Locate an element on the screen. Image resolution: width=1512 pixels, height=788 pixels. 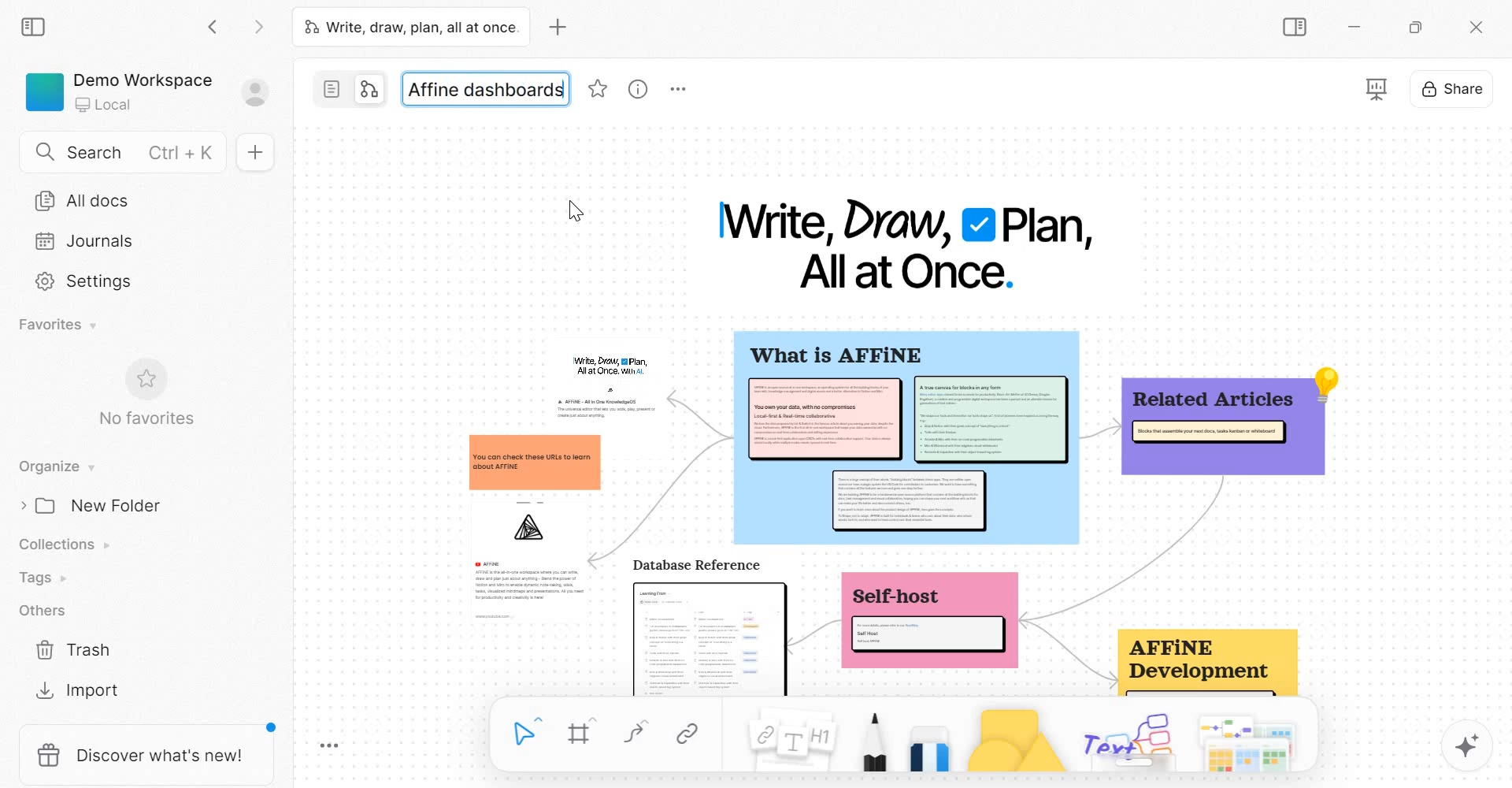
Eraser is located at coordinates (930, 744).